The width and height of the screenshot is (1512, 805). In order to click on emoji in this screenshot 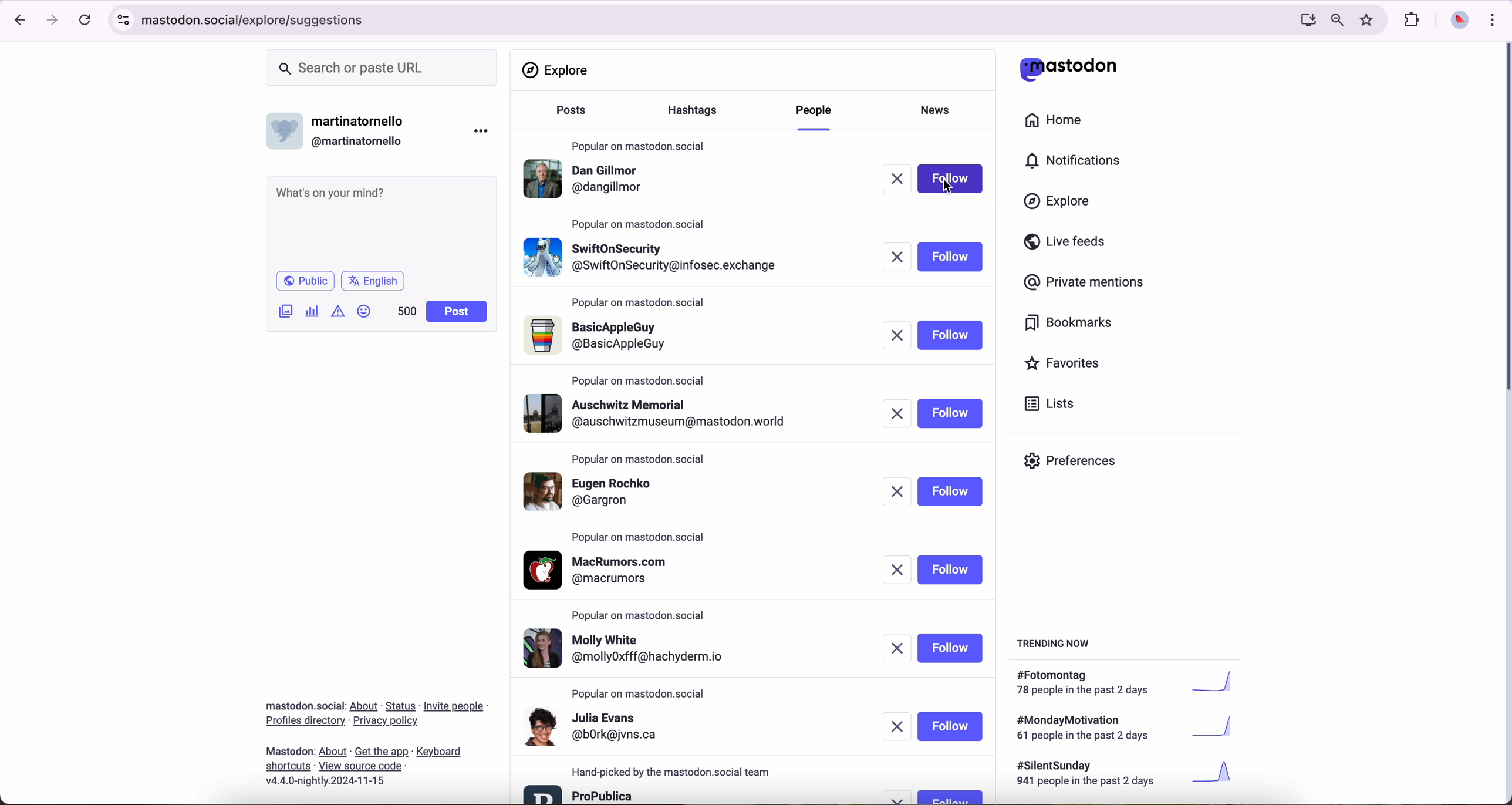, I will do `click(365, 311)`.